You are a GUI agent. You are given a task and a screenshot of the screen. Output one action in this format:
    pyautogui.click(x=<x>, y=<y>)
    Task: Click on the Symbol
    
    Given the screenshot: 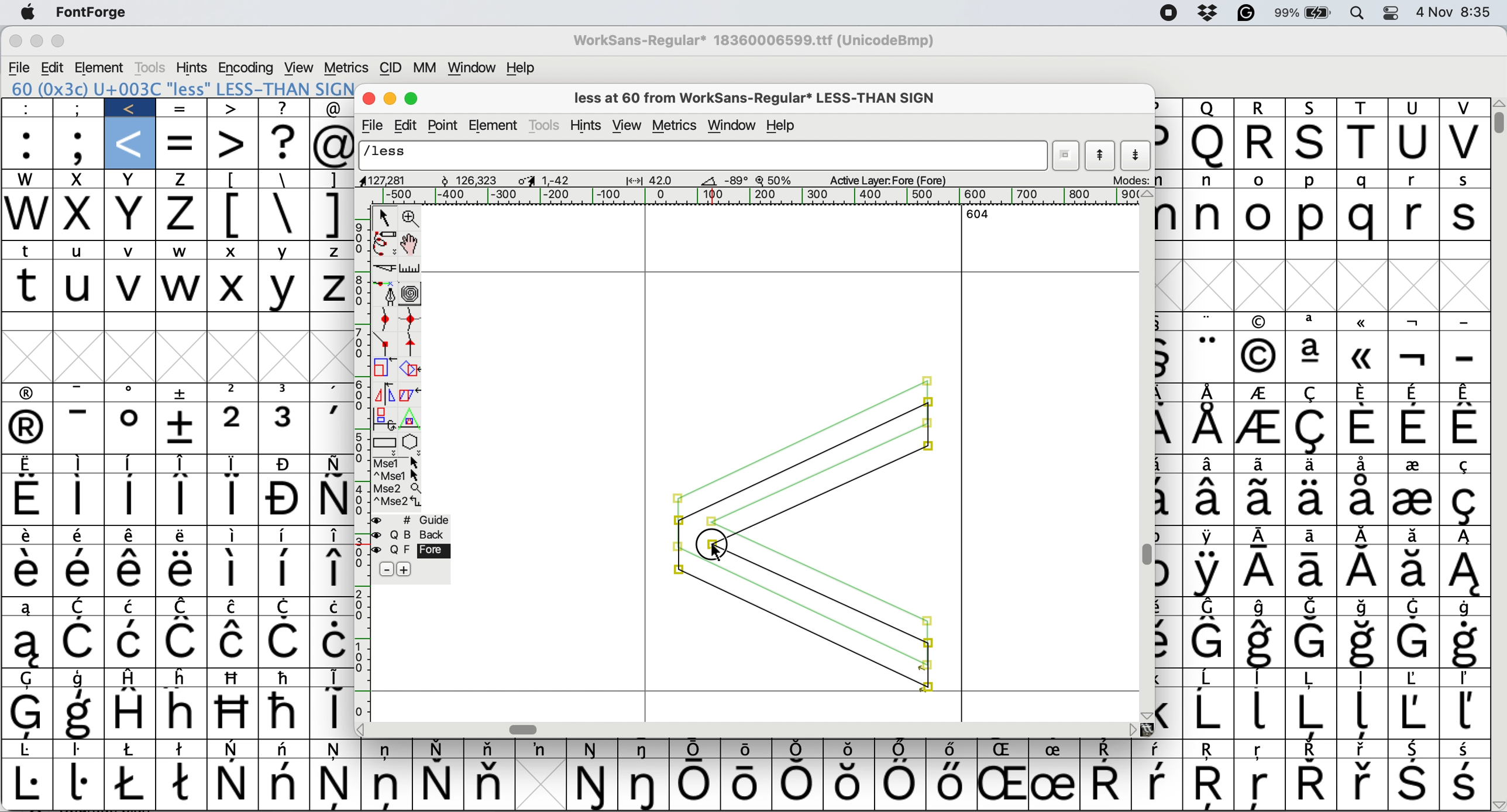 What is the action you would take?
    pyautogui.click(x=183, y=643)
    